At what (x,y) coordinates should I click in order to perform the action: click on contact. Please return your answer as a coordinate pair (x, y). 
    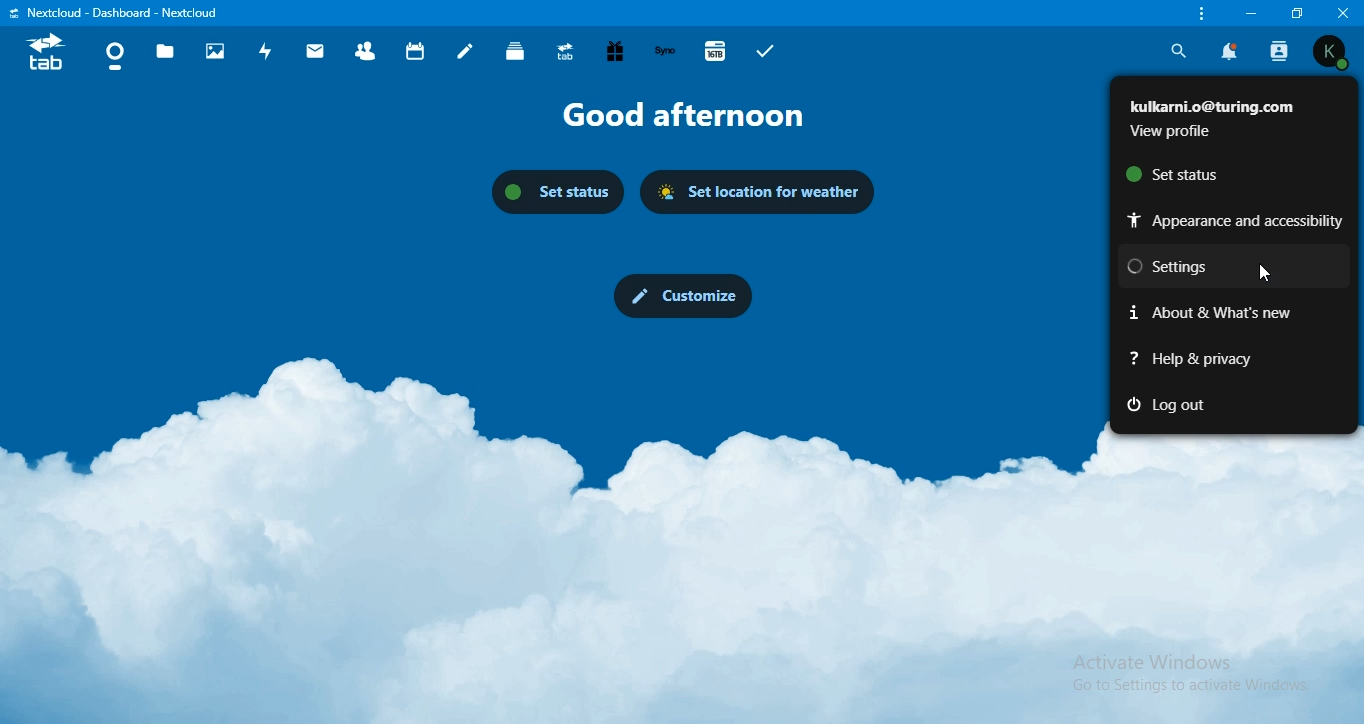
    Looking at the image, I should click on (366, 50).